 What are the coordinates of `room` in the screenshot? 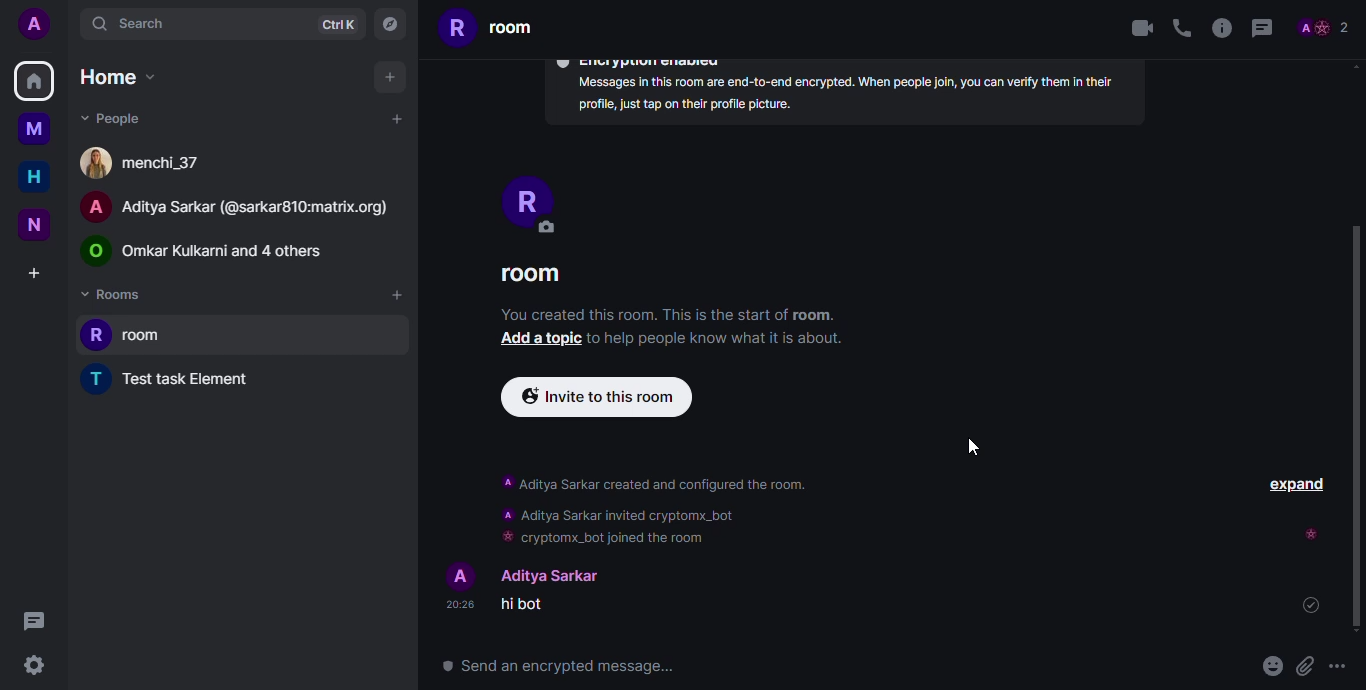 It's located at (504, 30).